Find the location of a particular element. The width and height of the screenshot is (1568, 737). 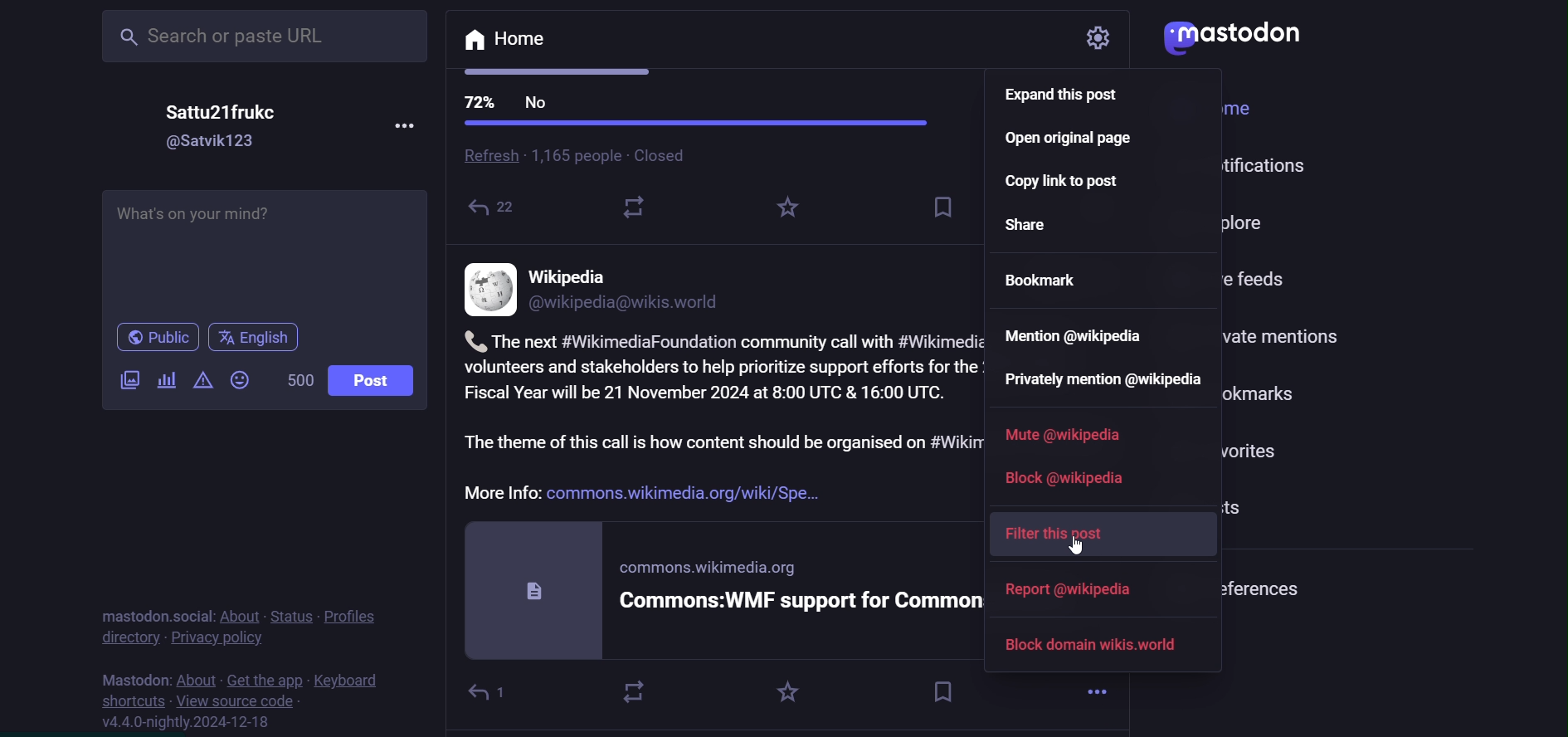

The theme of this call is how content should be organised on #Wikimedia Commons, is located at coordinates (724, 442).